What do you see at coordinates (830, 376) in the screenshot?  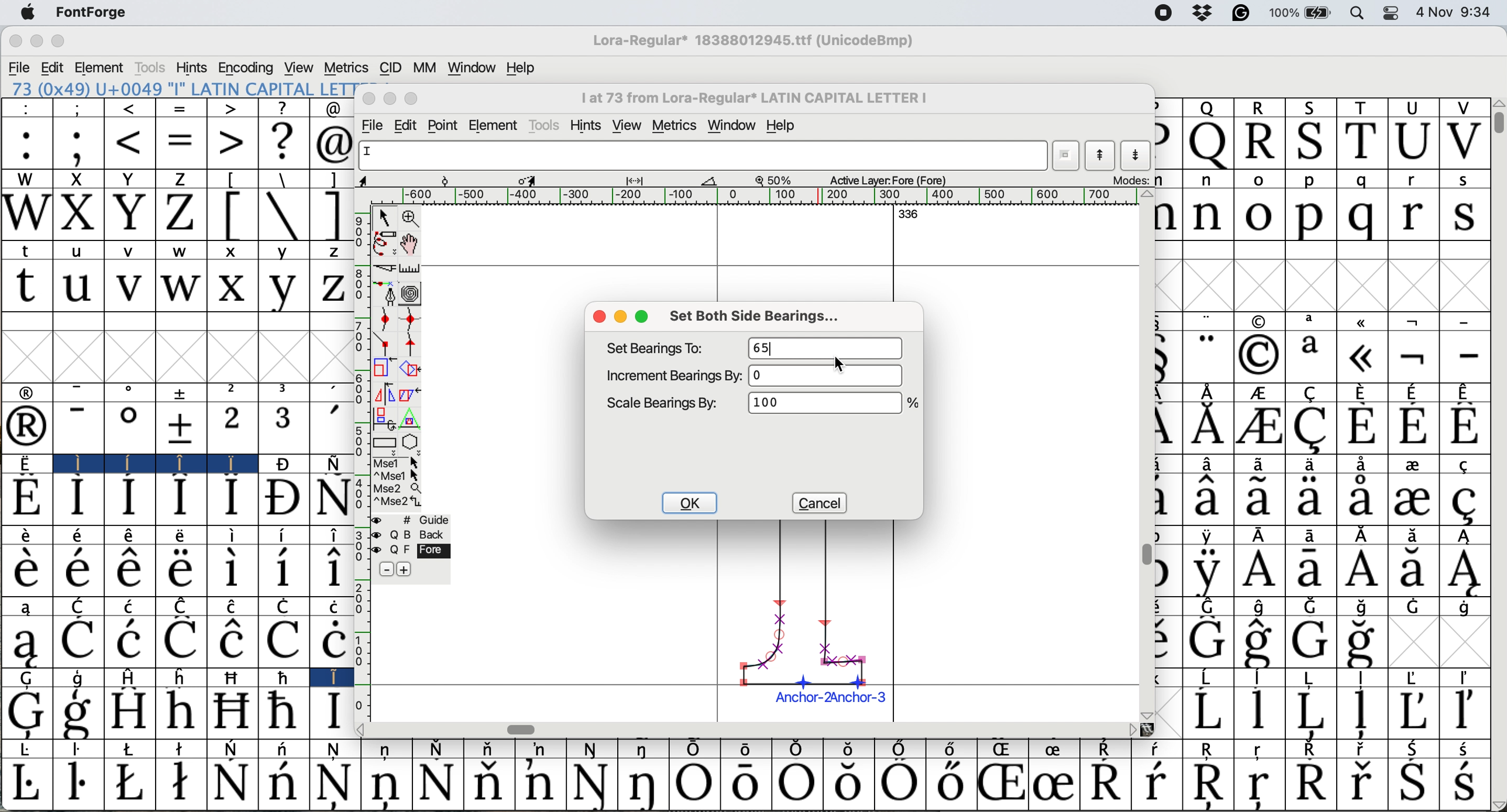 I see `0` at bounding box center [830, 376].